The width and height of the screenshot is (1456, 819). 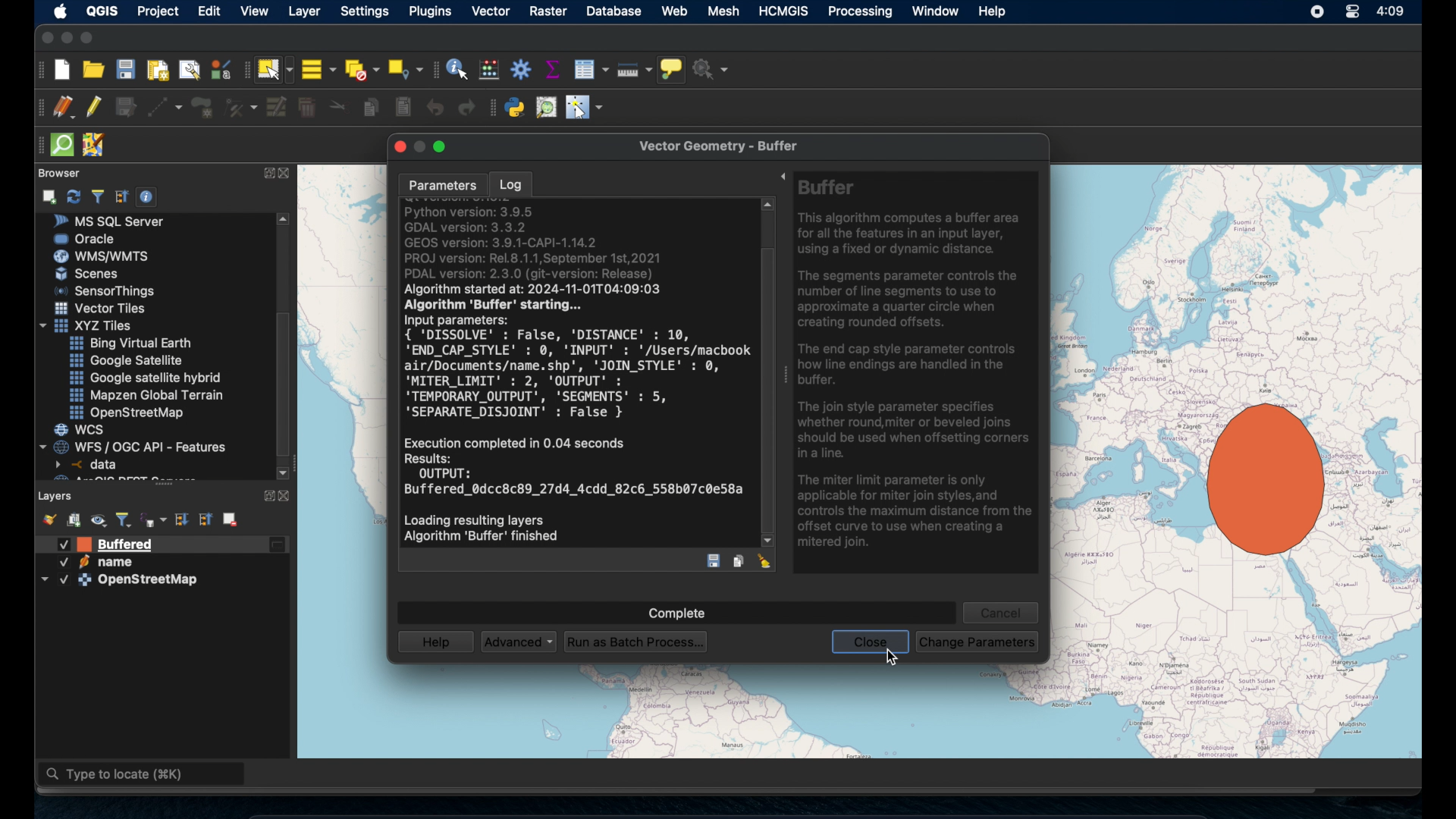 I want to click on edit, so click(x=212, y=11).